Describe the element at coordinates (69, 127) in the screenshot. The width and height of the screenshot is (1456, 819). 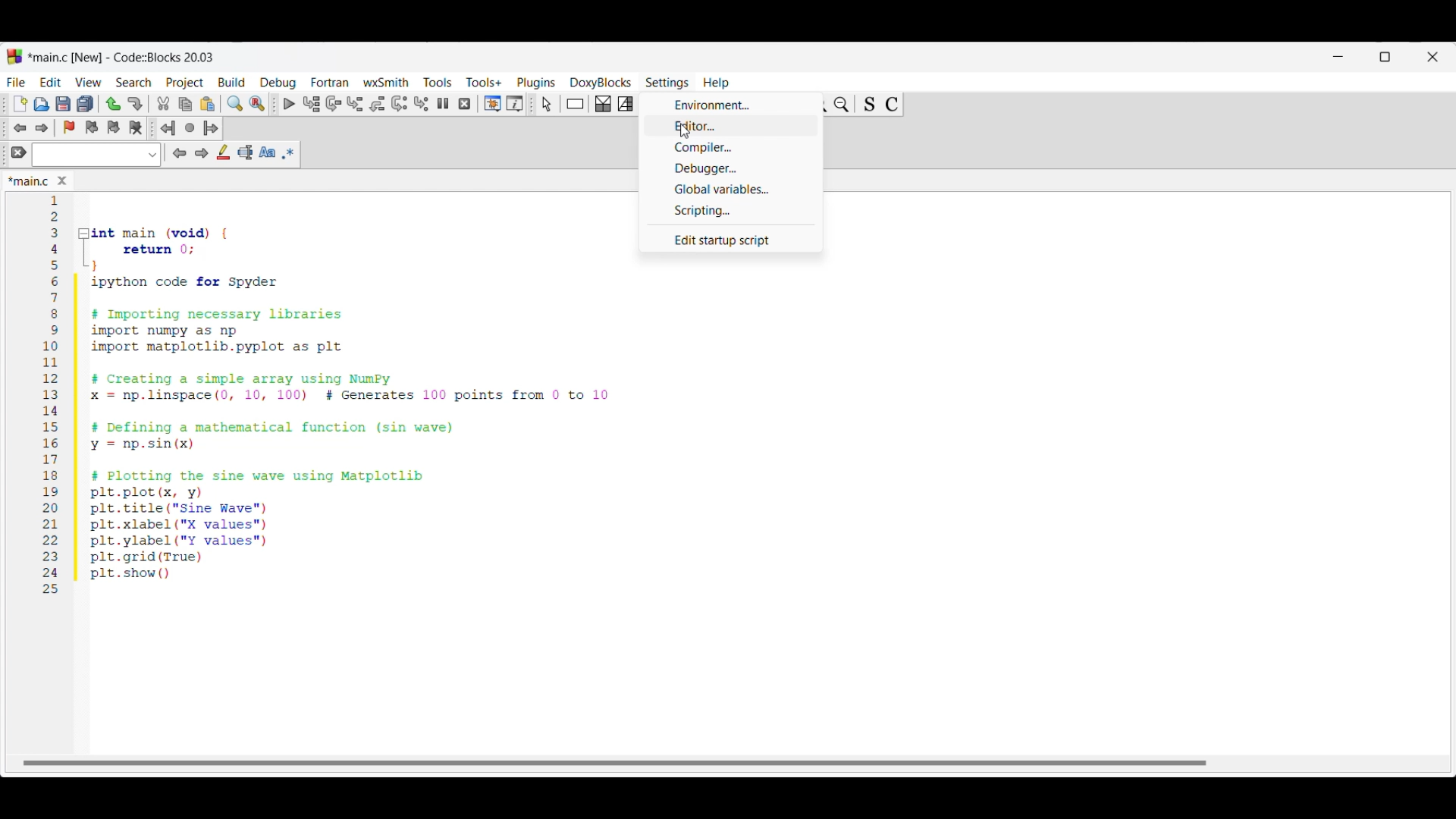
I see `Toggle bookmarks` at that location.